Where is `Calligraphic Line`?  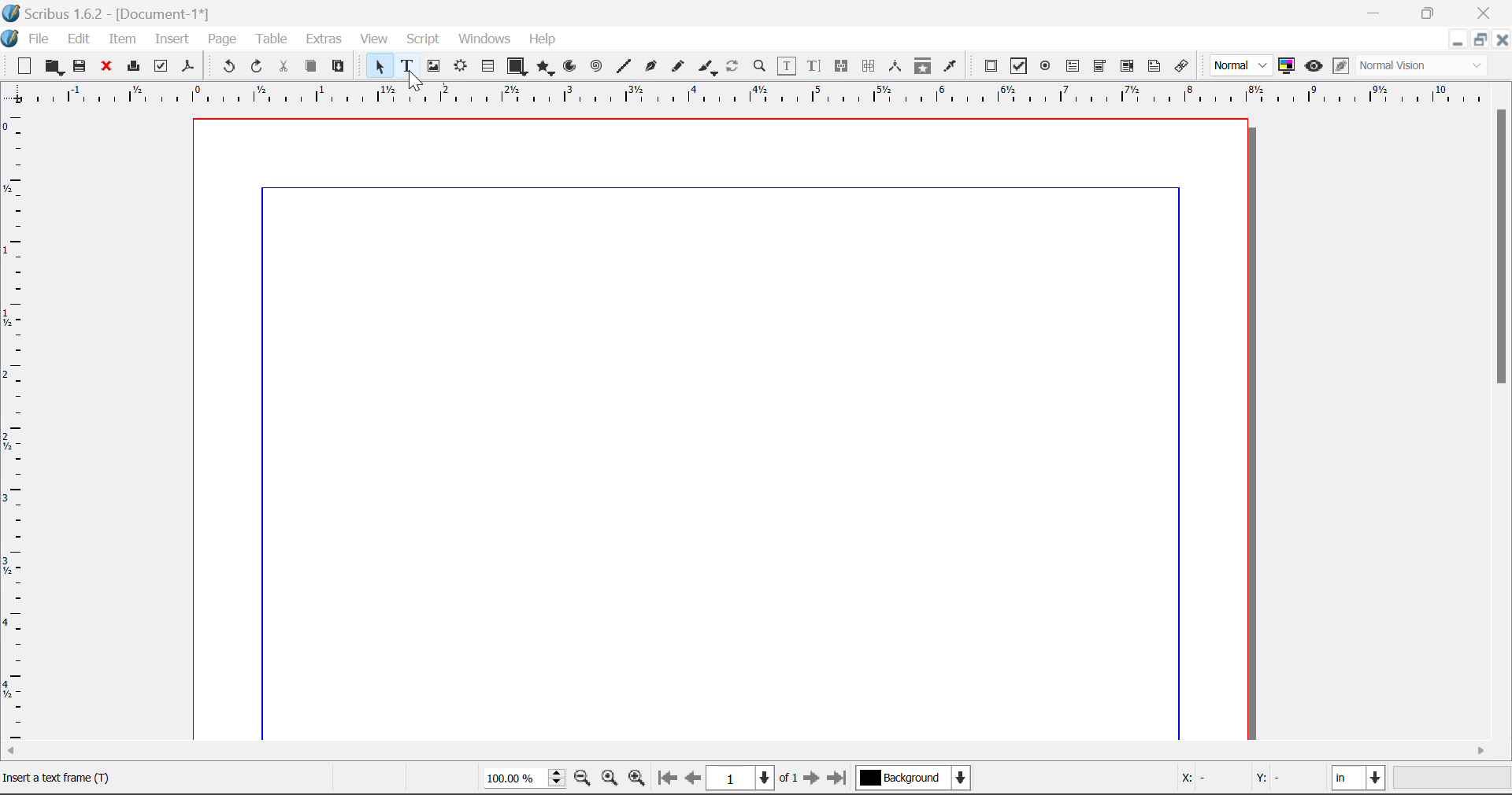
Calligraphic Line is located at coordinates (704, 67).